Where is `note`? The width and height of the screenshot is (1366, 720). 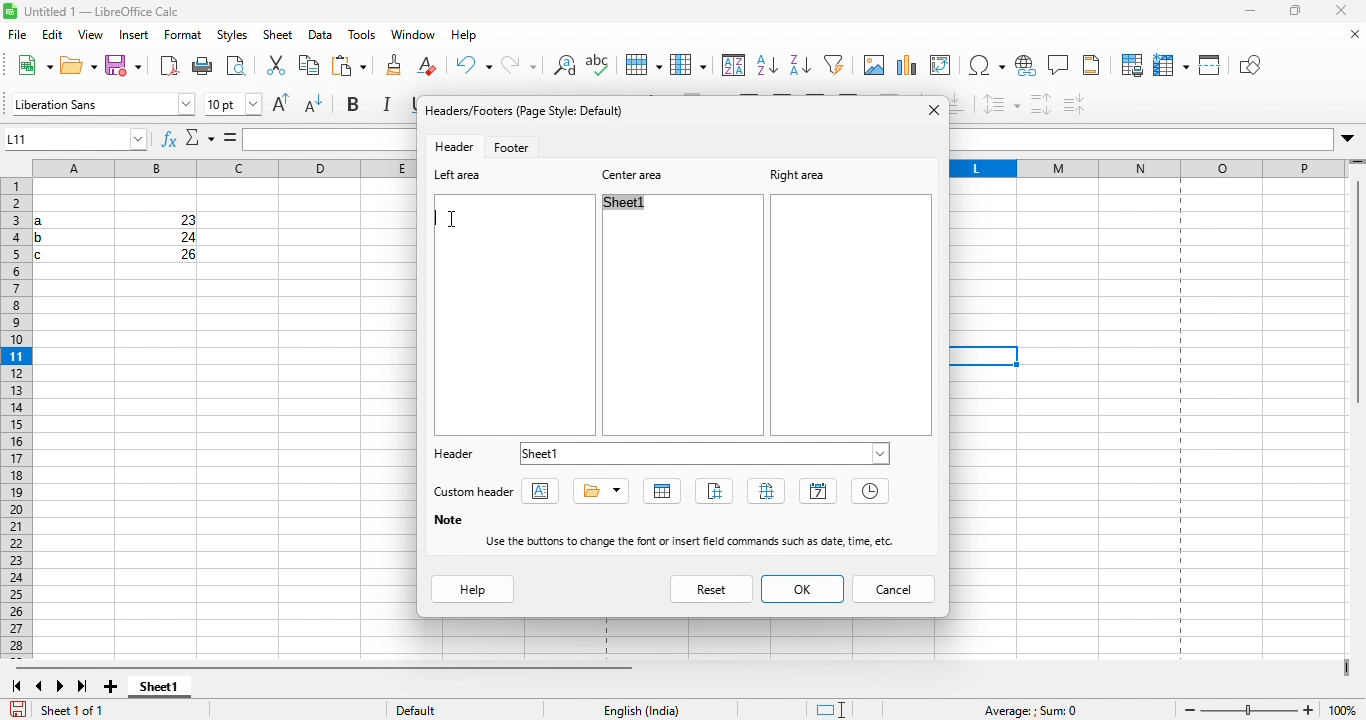 note is located at coordinates (453, 519).